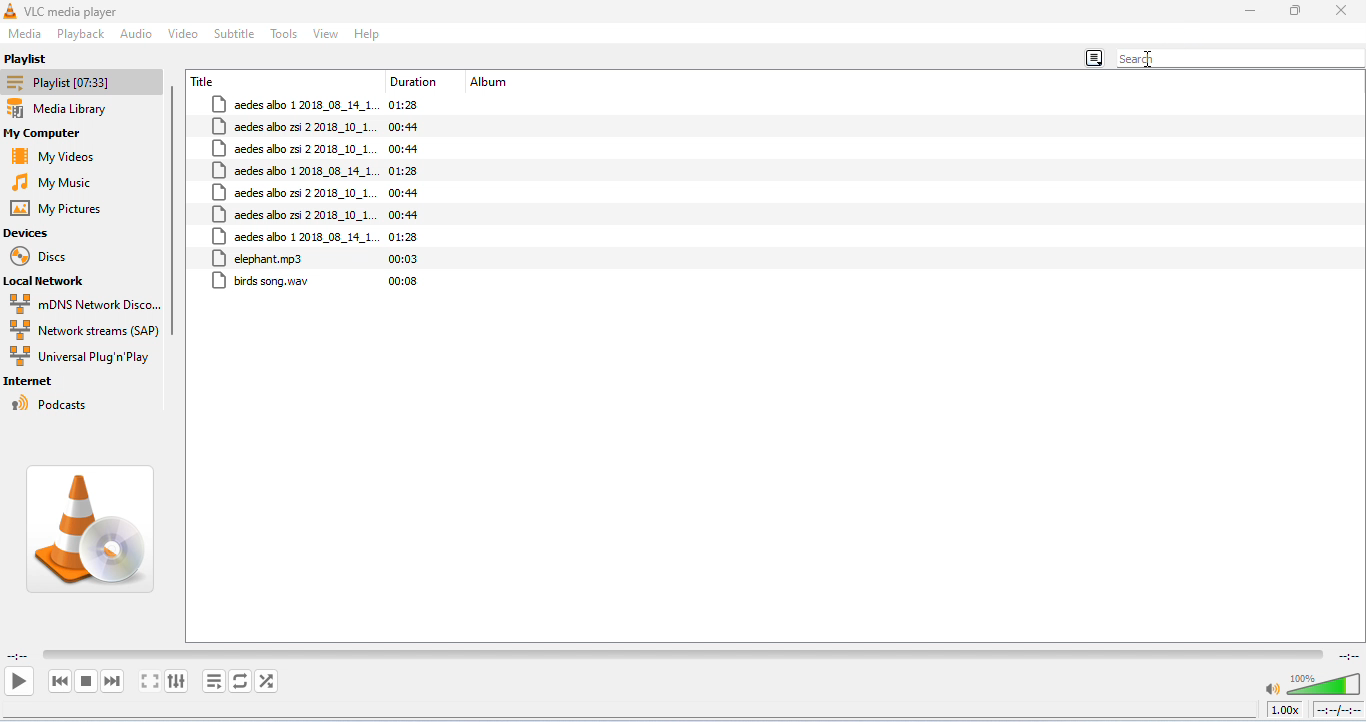 The height and width of the screenshot is (722, 1366). Describe the element at coordinates (76, 110) in the screenshot. I see `media library` at that location.